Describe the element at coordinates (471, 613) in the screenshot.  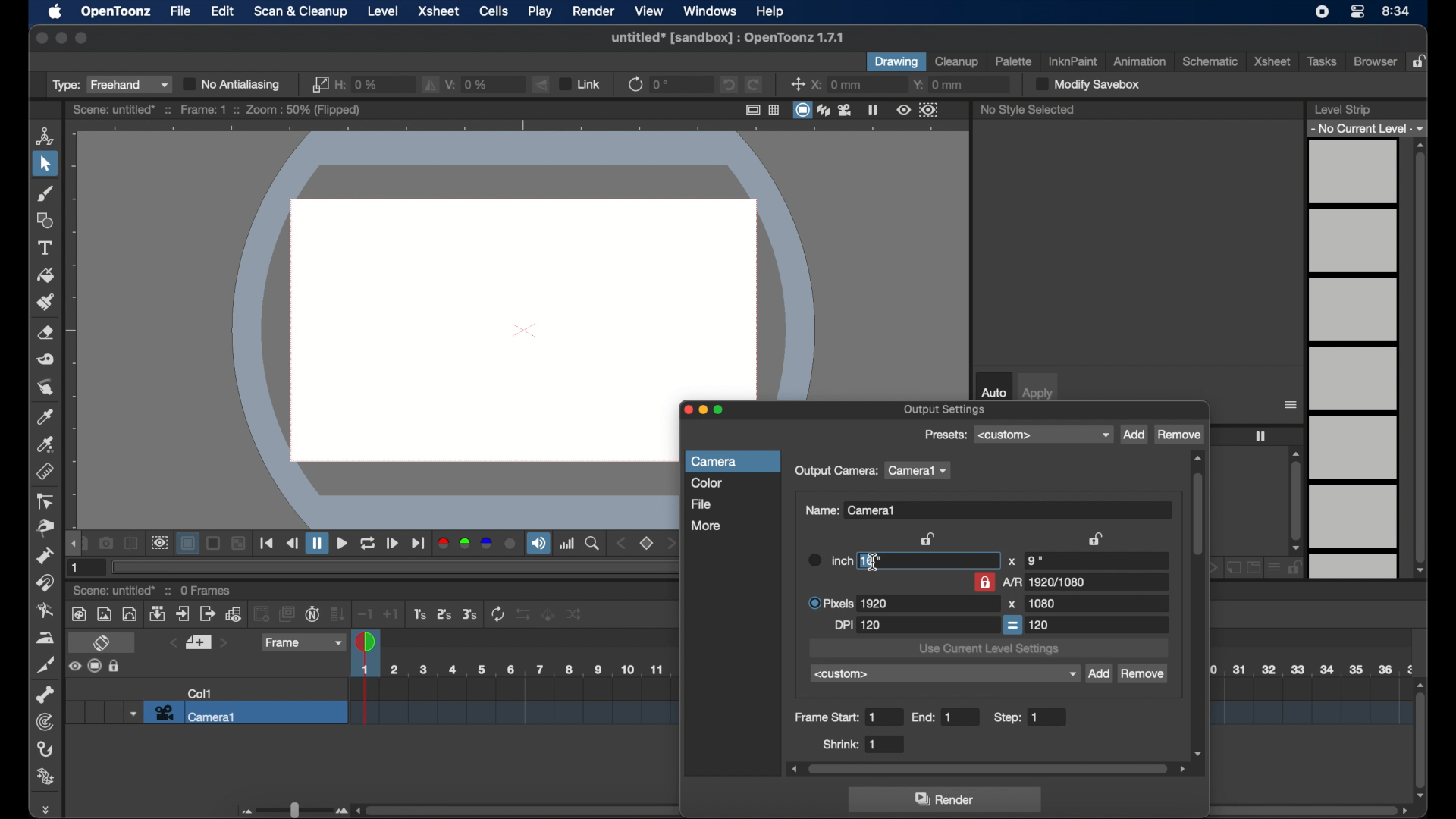
I see `` at that location.